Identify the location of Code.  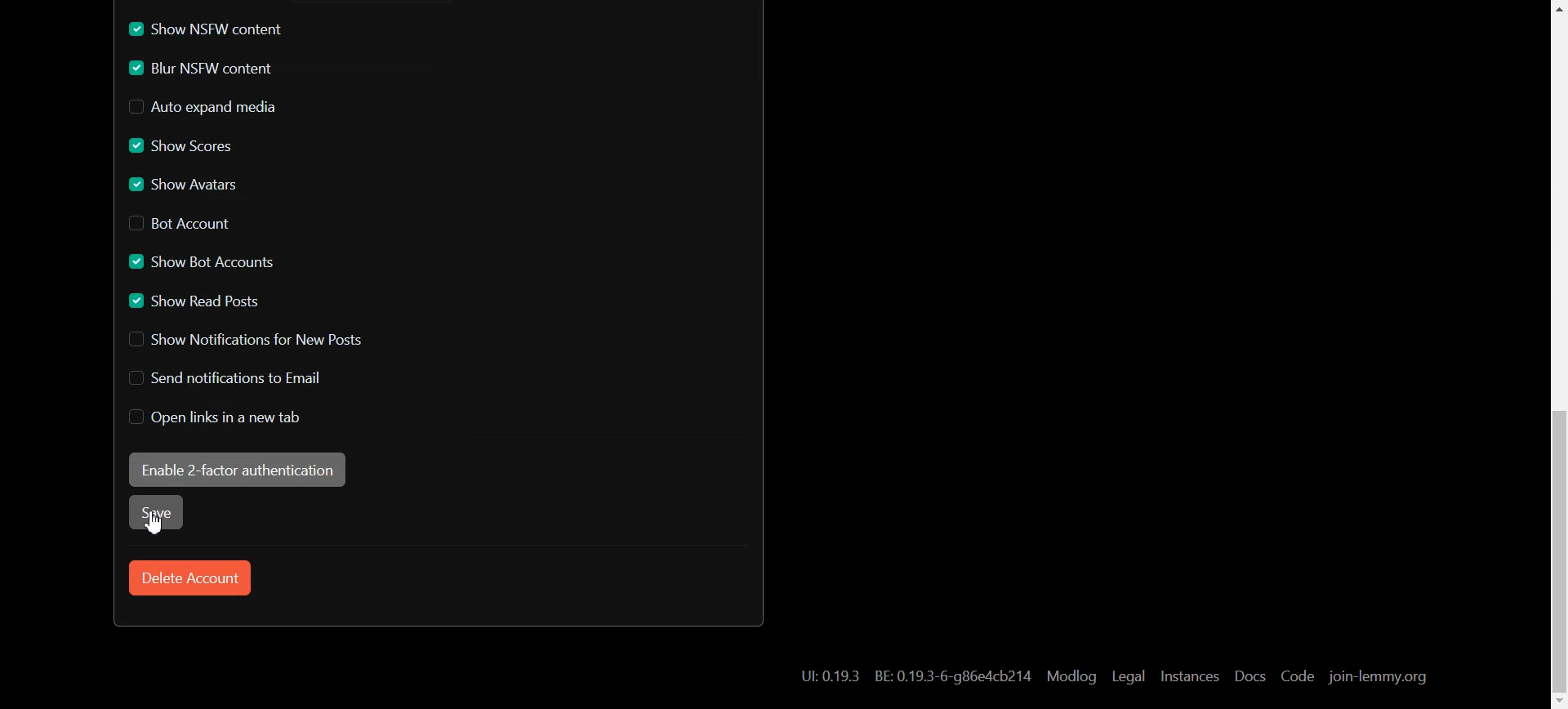
(1298, 676).